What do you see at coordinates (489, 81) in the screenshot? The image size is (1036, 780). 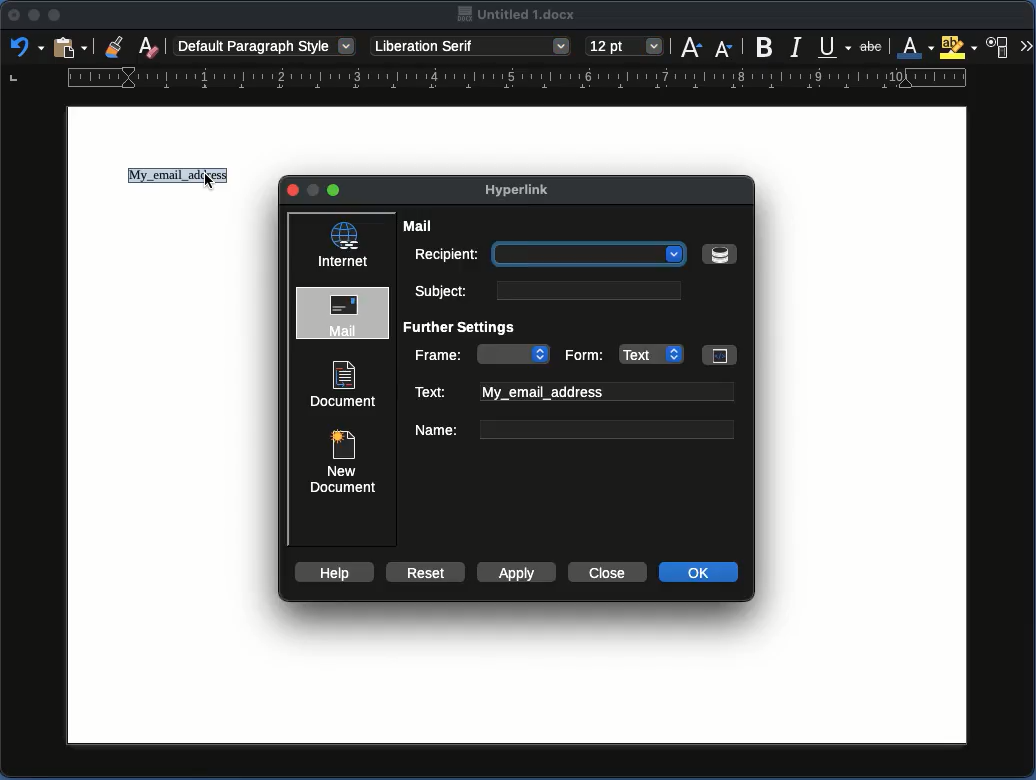 I see `Ruler` at bounding box center [489, 81].